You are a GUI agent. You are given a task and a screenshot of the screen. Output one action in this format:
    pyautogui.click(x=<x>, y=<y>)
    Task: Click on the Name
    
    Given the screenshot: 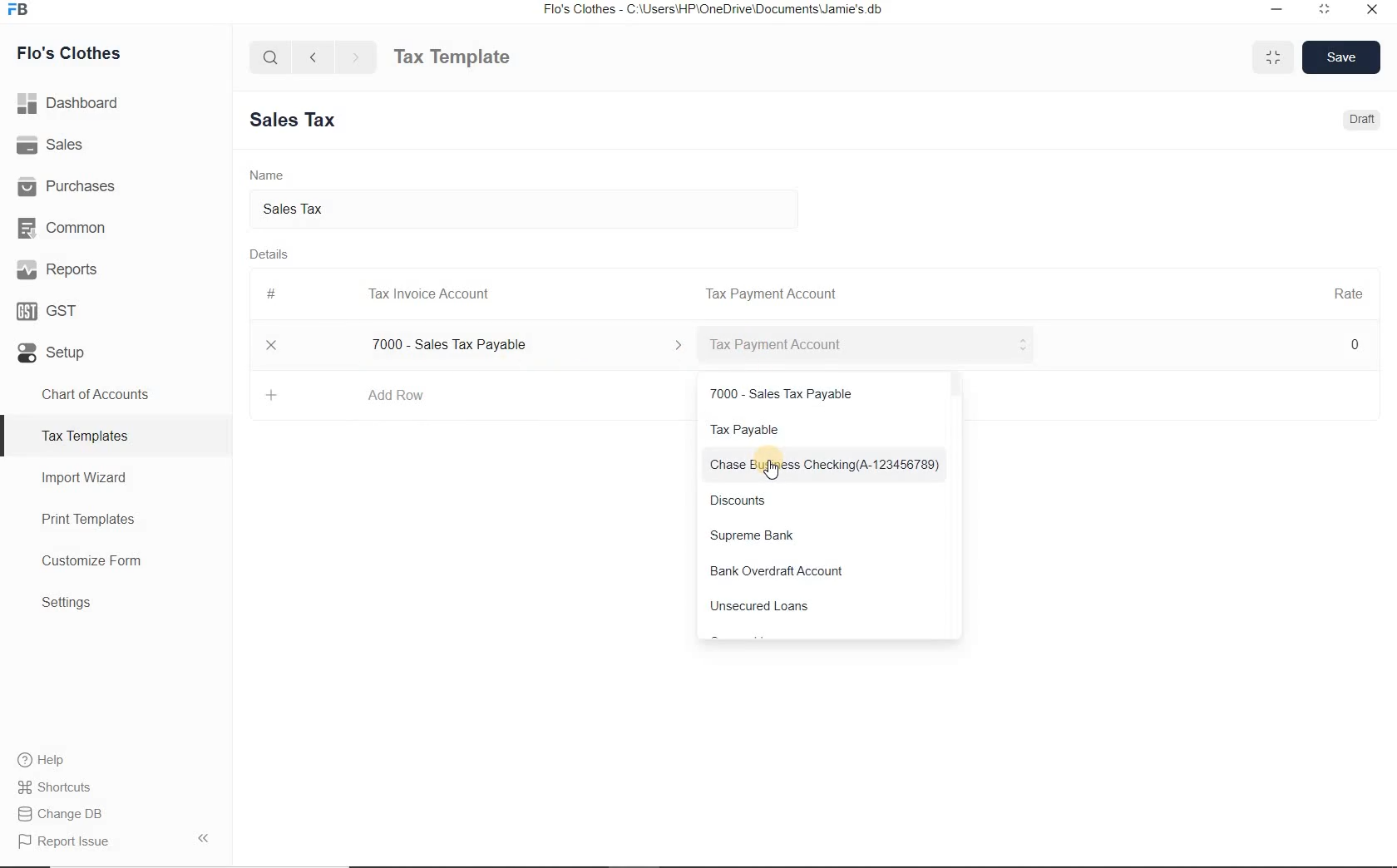 What is the action you would take?
    pyautogui.click(x=267, y=174)
    